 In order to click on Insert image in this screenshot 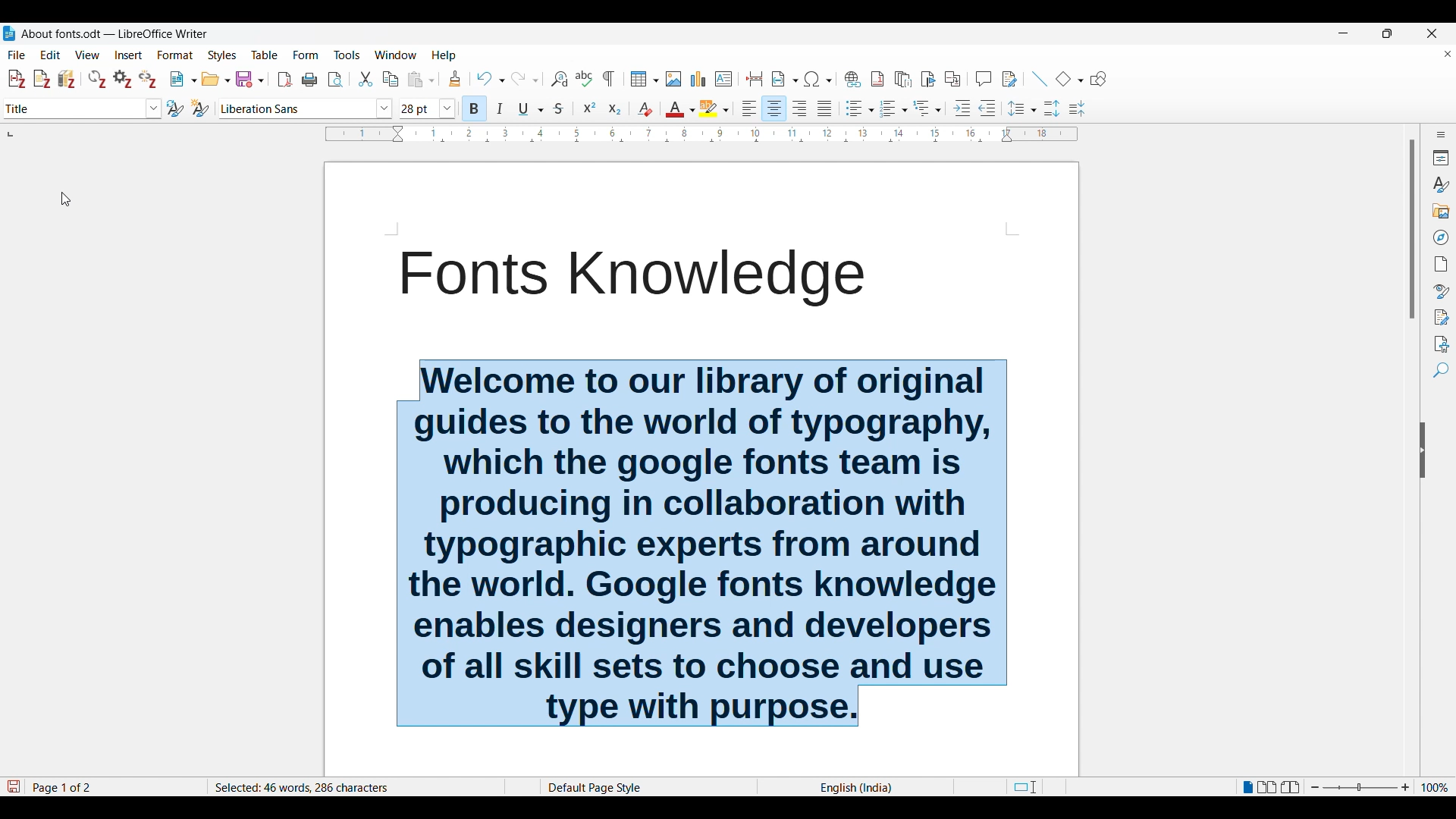, I will do `click(673, 79)`.